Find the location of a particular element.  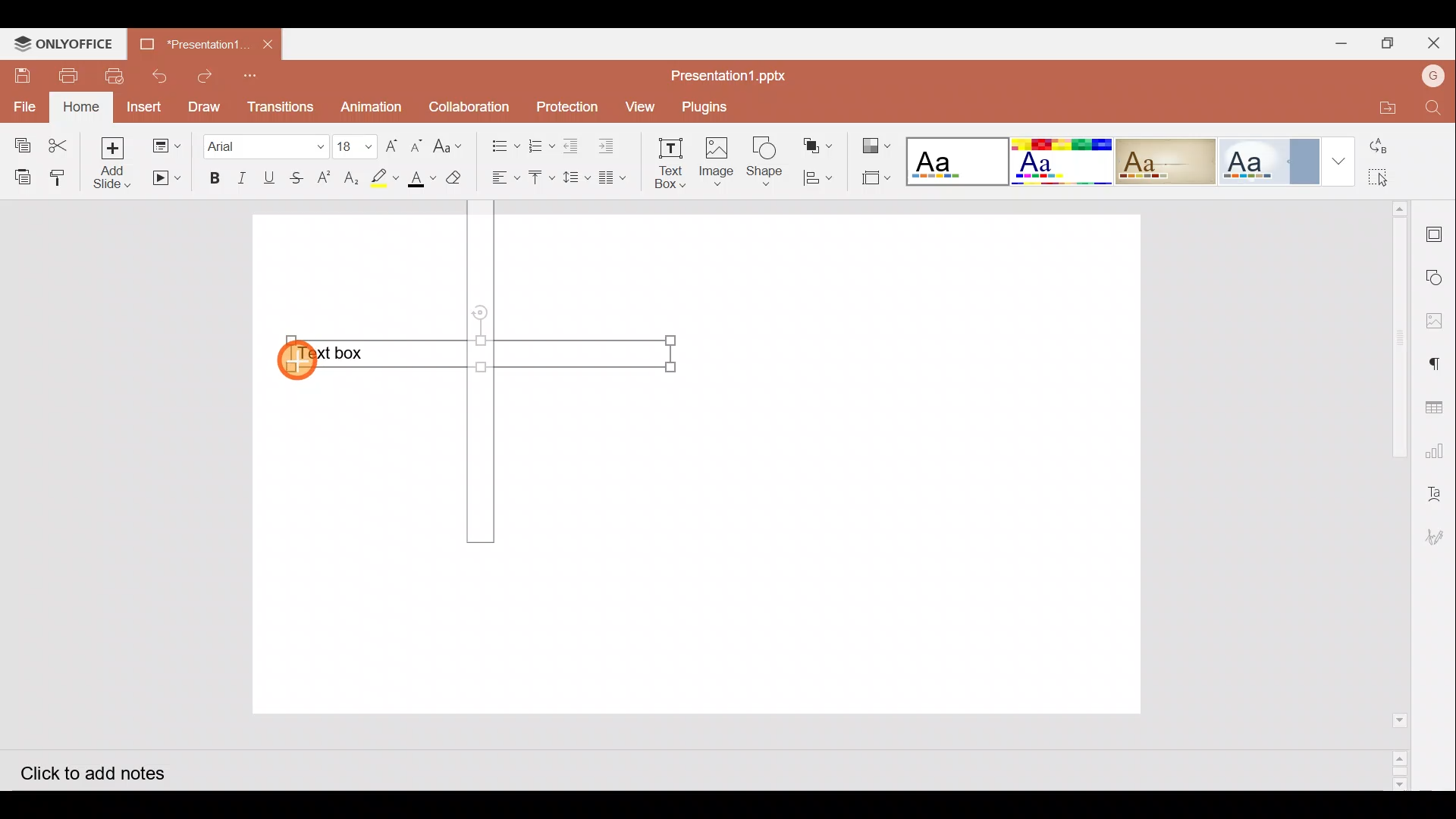

Save is located at coordinates (19, 76).